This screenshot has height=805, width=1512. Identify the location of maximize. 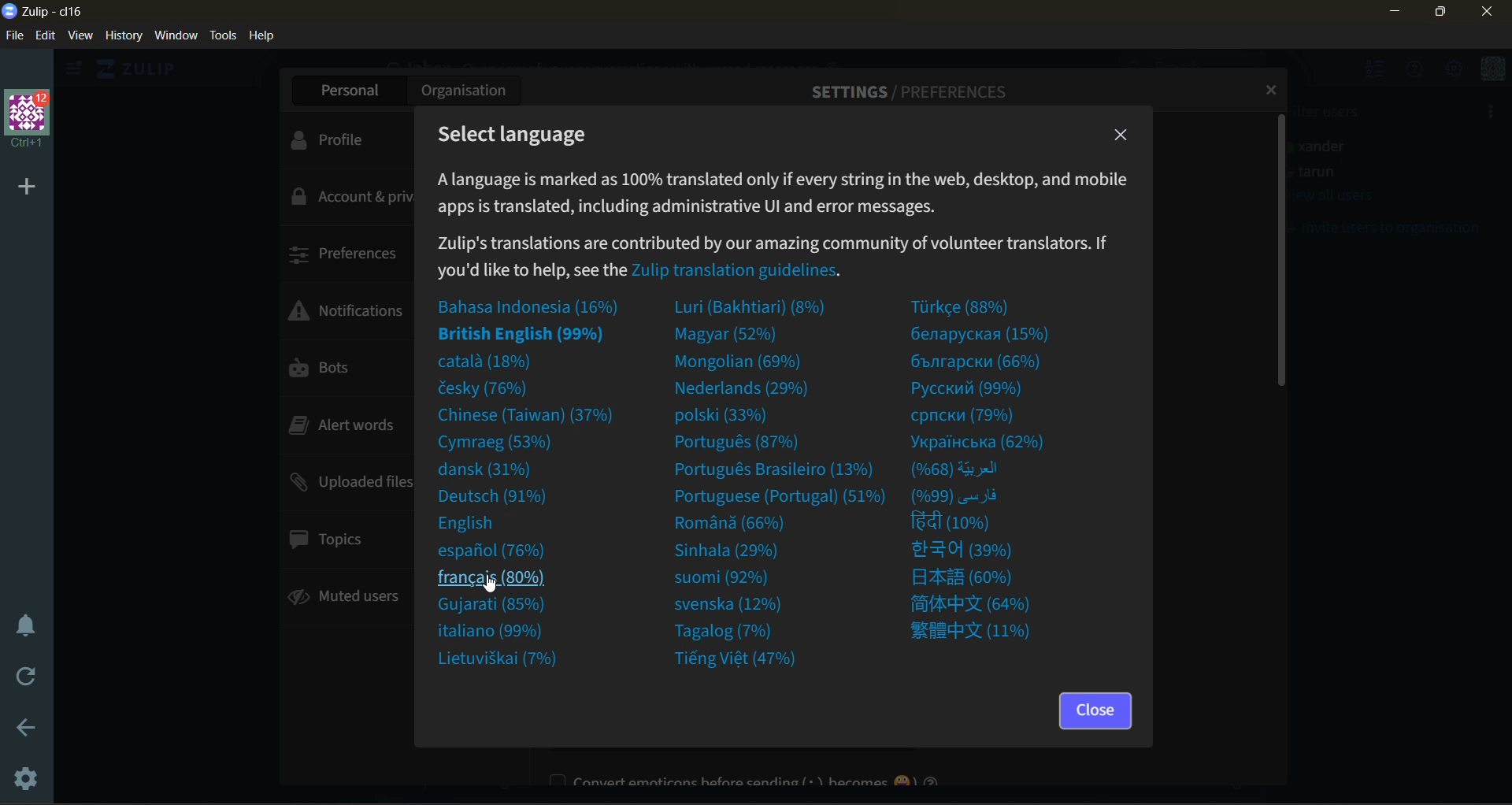
(1443, 13).